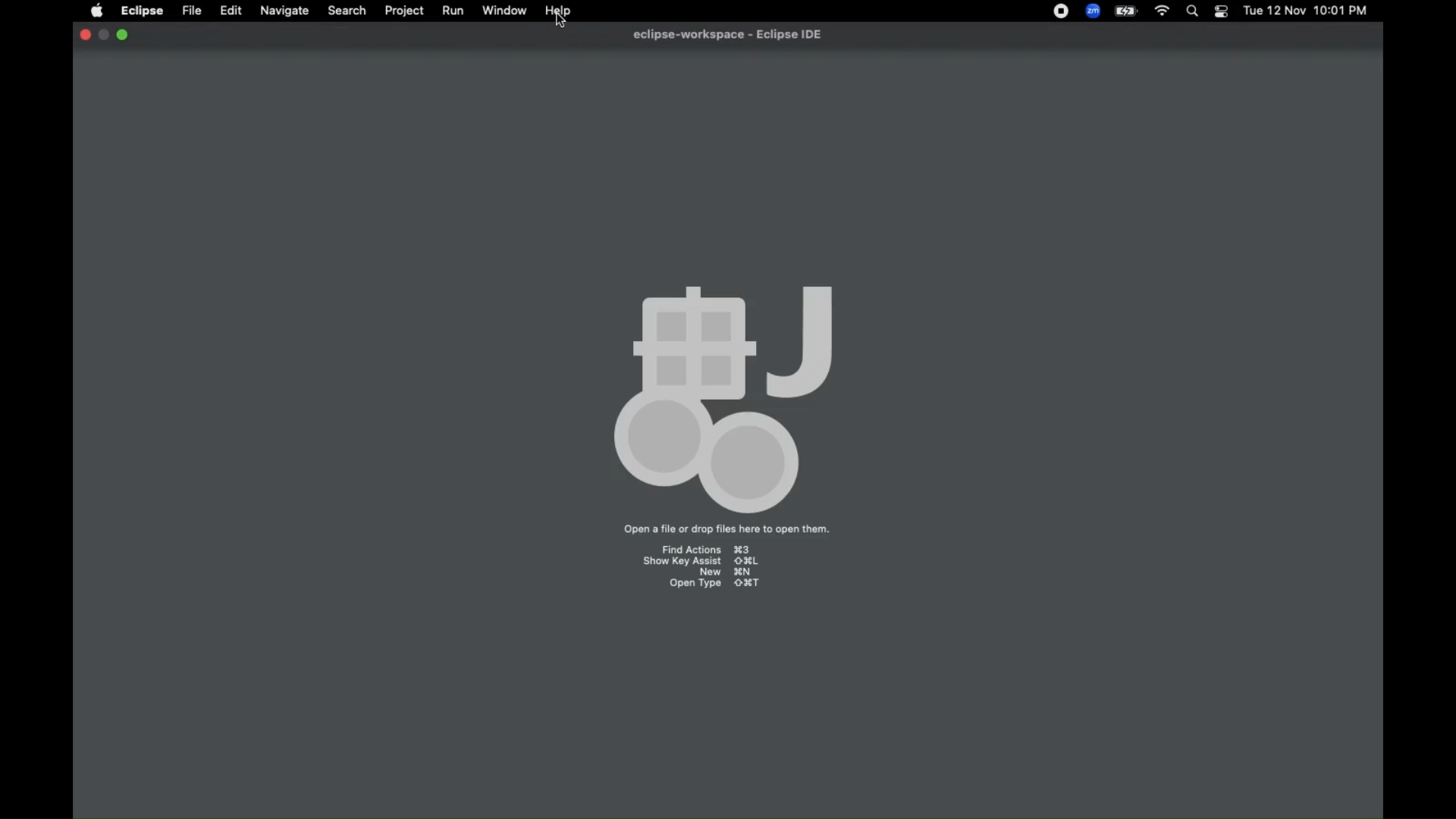  I want to click on Help, so click(557, 11).